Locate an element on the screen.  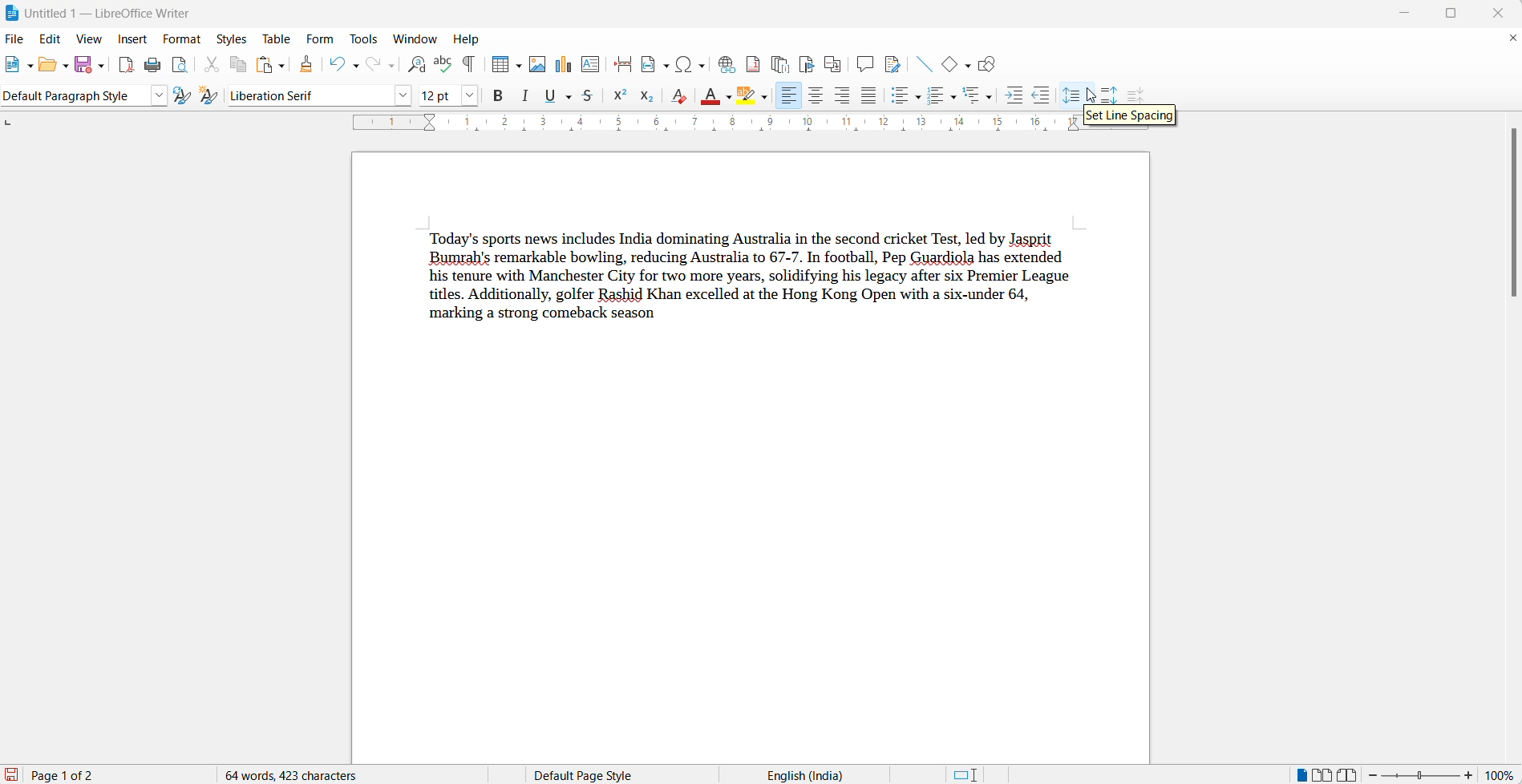
style options is located at coordinates (156, 95).